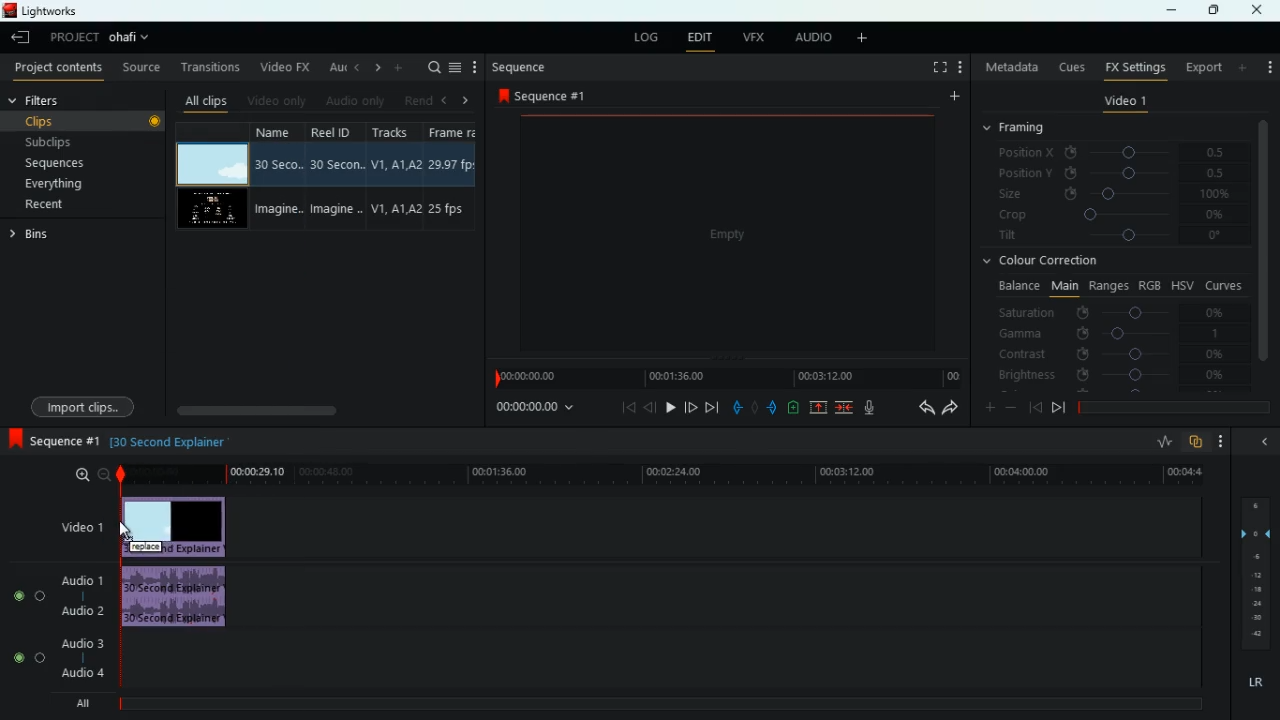 This screenshot has height=720, width=1280. I want to click on main, so click(1062, 287).